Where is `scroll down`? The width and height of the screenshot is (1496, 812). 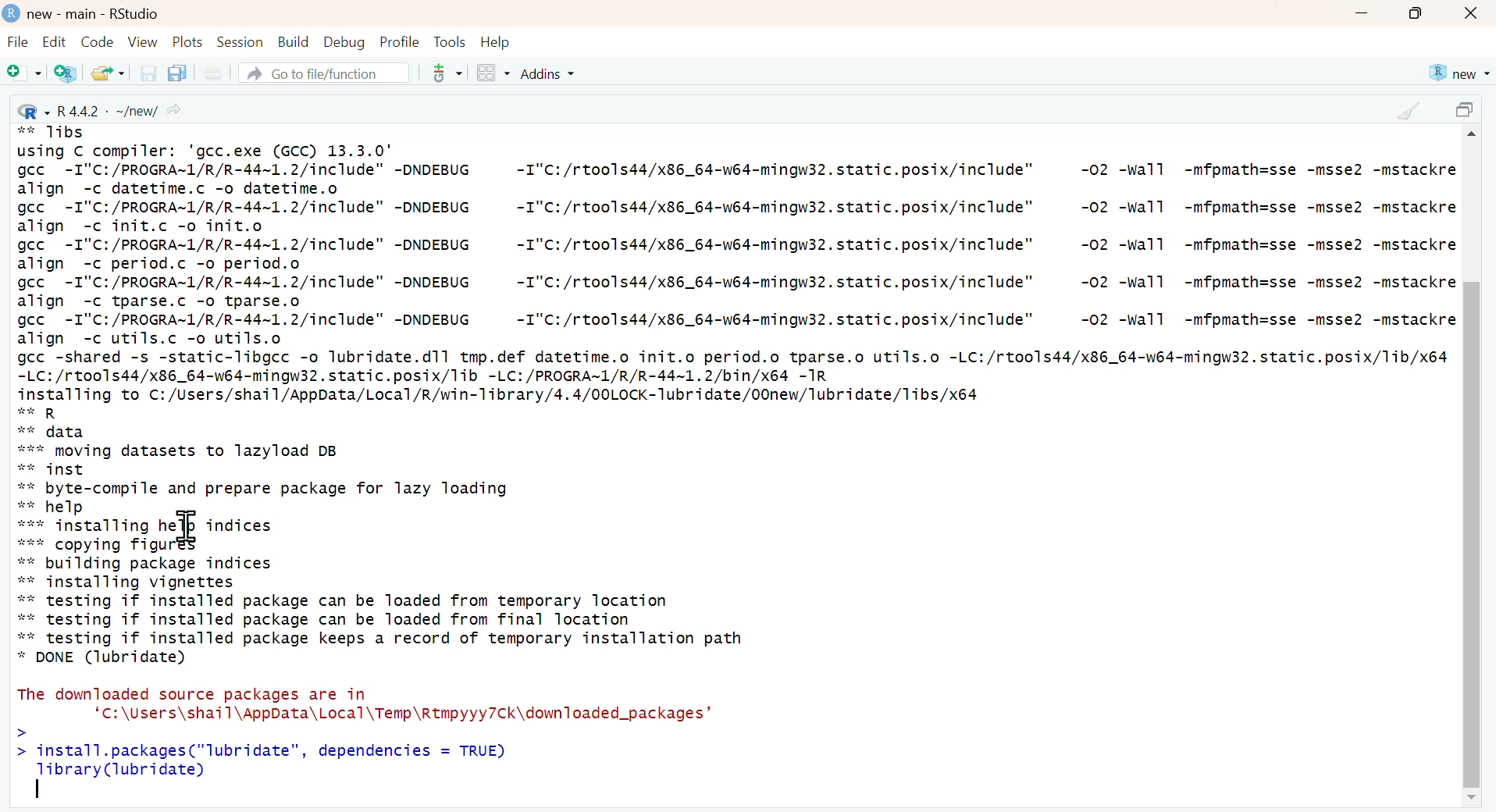 scroll down is located at coordinates (1469, 799).